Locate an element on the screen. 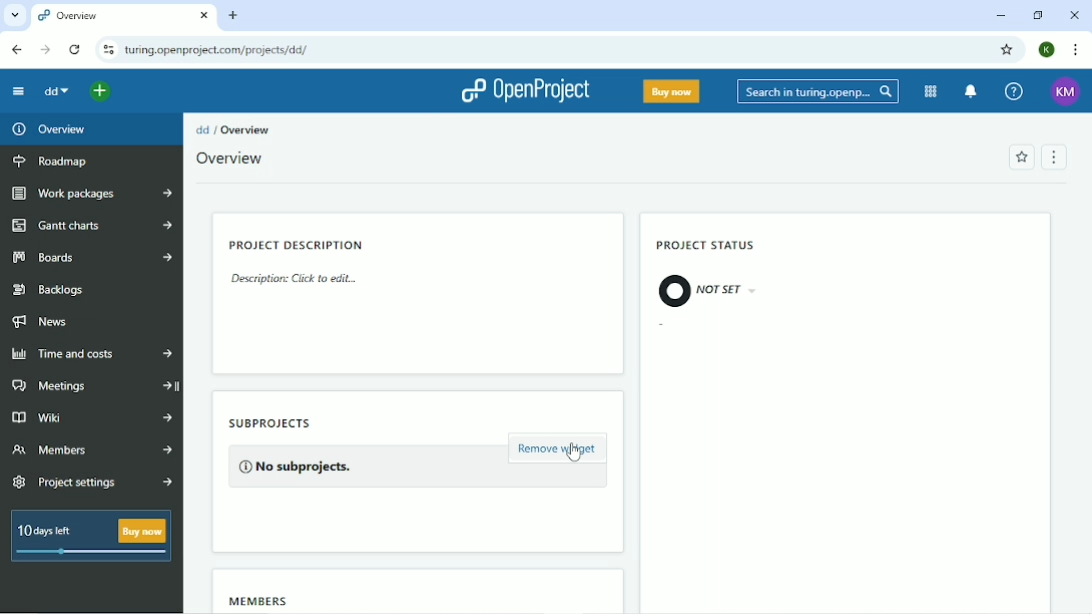  Minimize is located at coordinates (1000, 16).